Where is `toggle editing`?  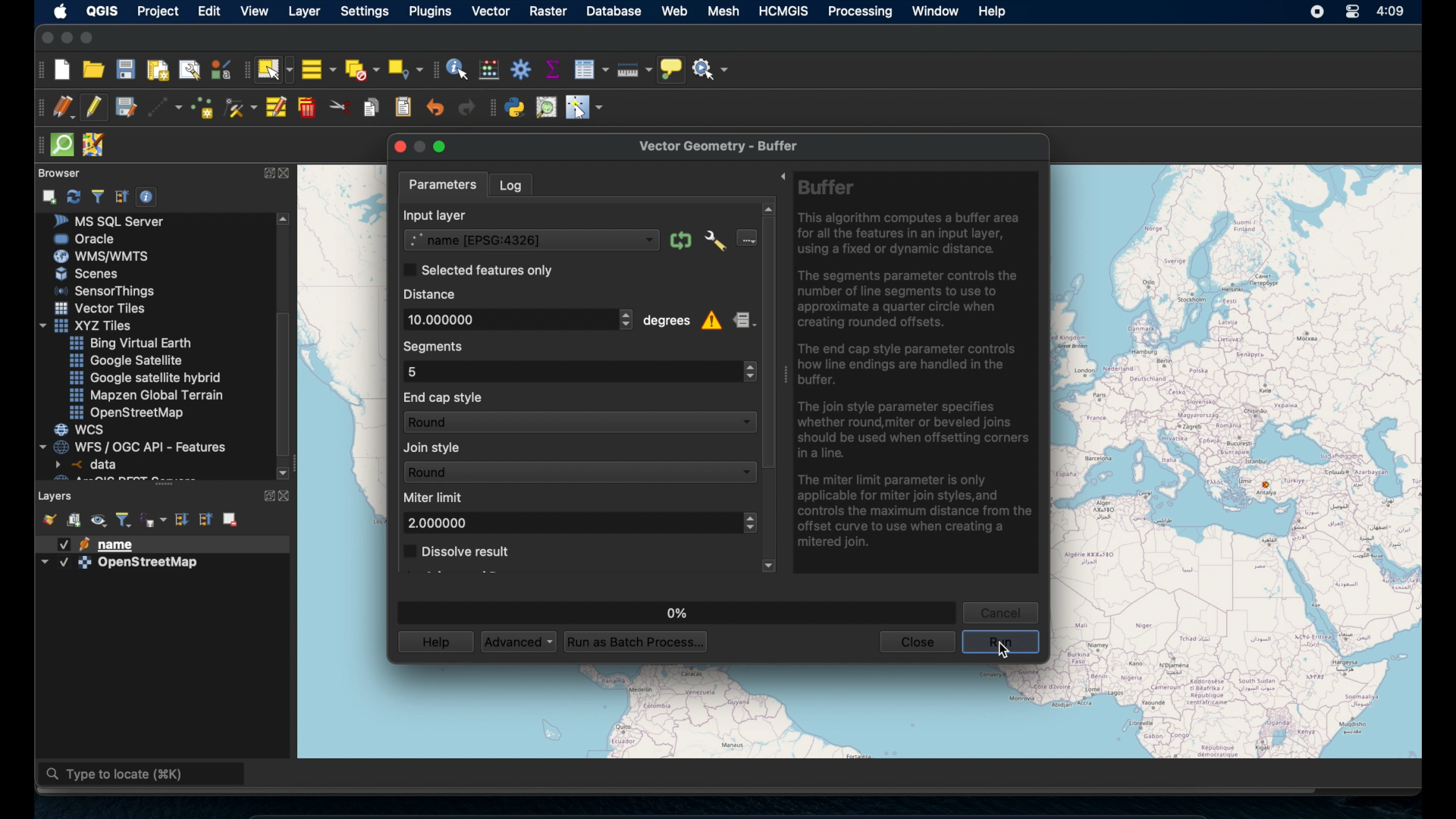 toggle editing is located at coordinates (93, 107).